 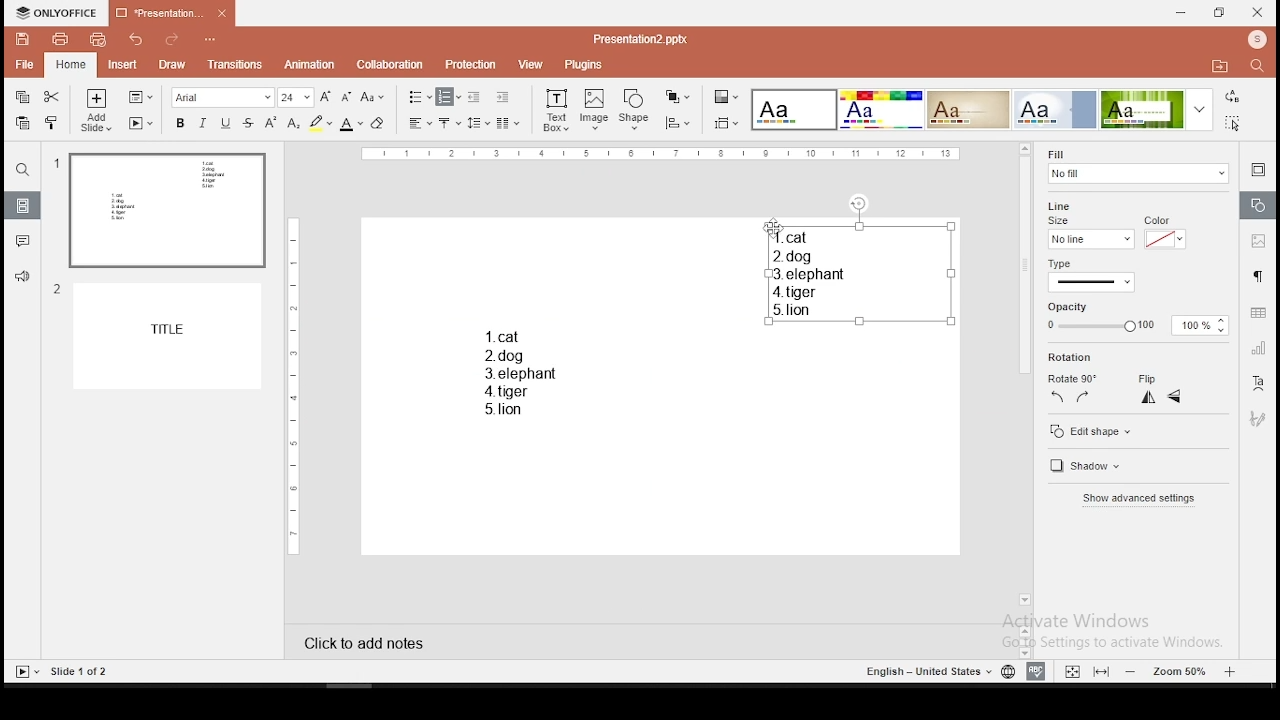 What do you see at coordinates (1147, 398) in the screenshot?
I see `flip vertical` at bounding box center [1147, 398].